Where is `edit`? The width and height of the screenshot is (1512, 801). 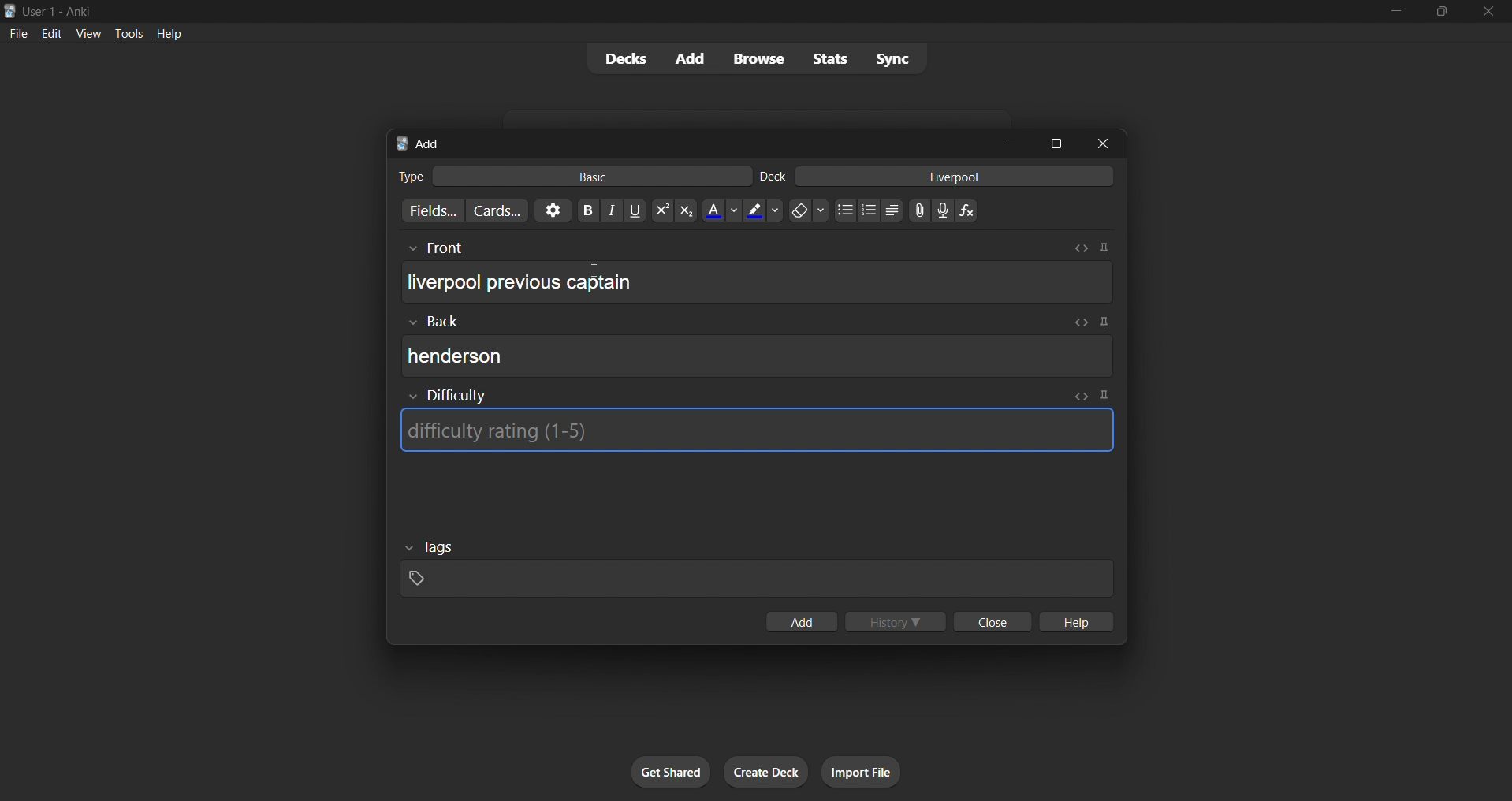
edit is located at coordinates (47, 32).